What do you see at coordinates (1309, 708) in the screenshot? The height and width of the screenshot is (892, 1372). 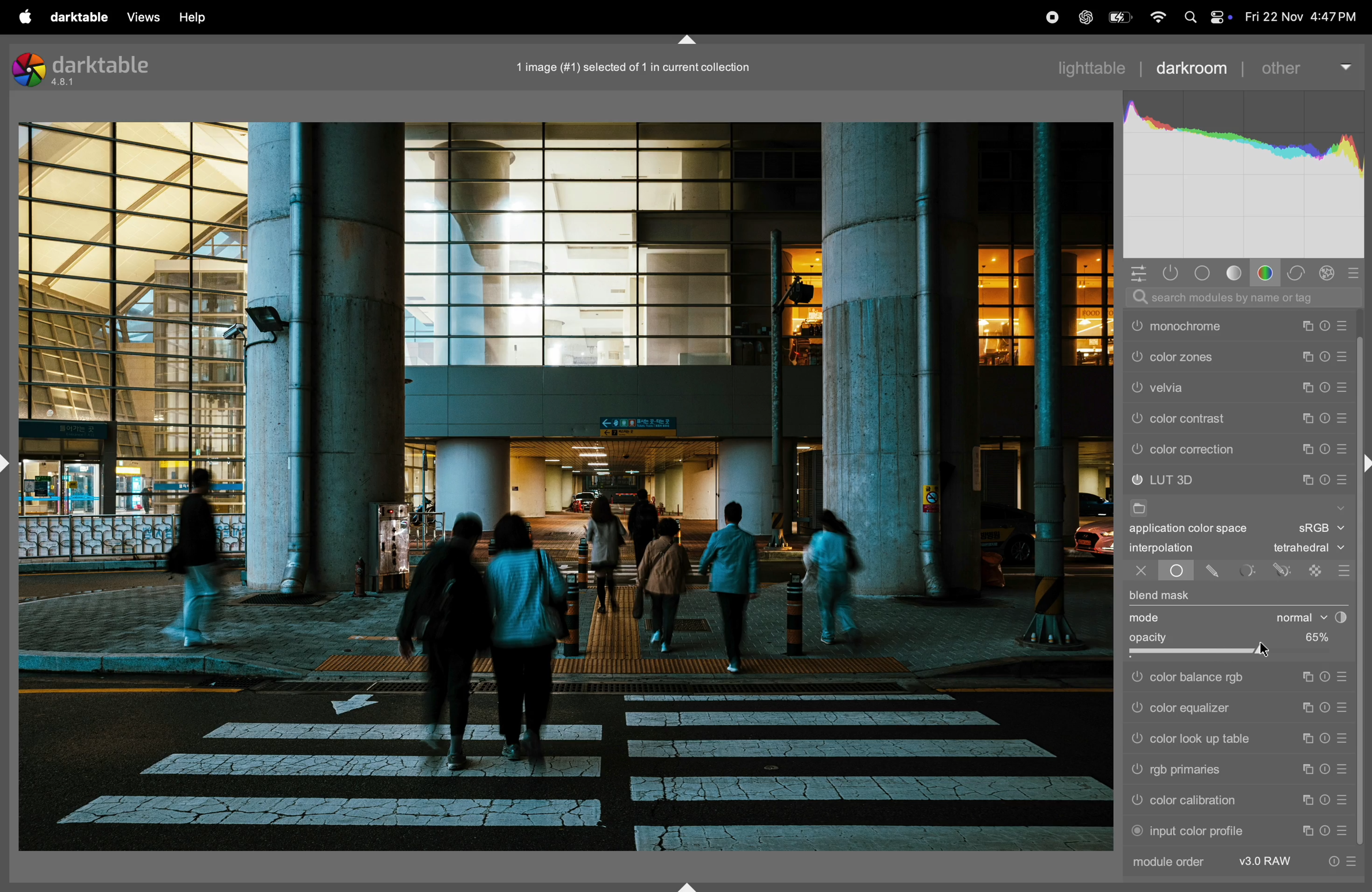 I see `multiple instance actions` at bounding box center [1309, 708].